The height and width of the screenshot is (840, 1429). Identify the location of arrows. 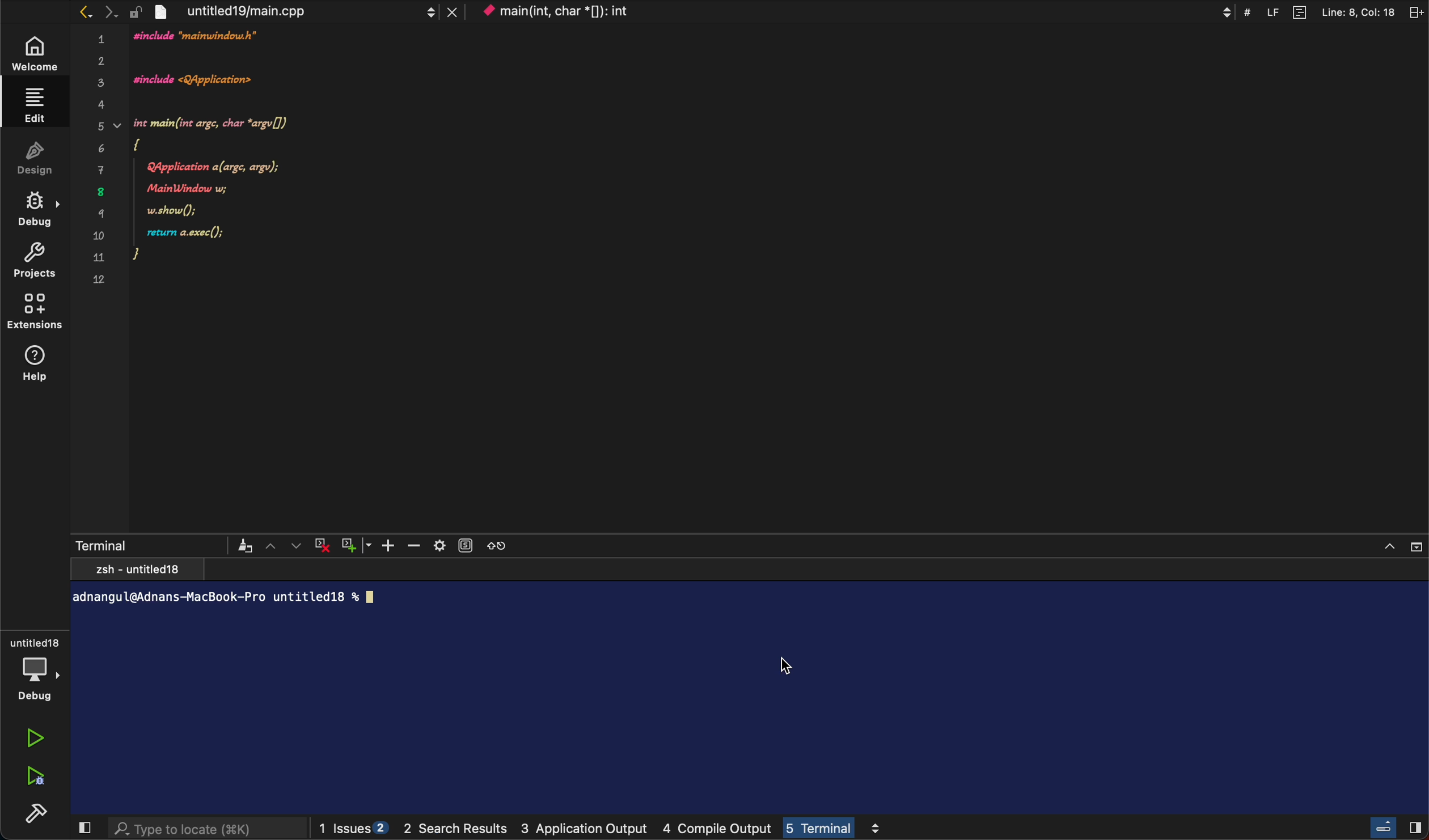
(91, 14).